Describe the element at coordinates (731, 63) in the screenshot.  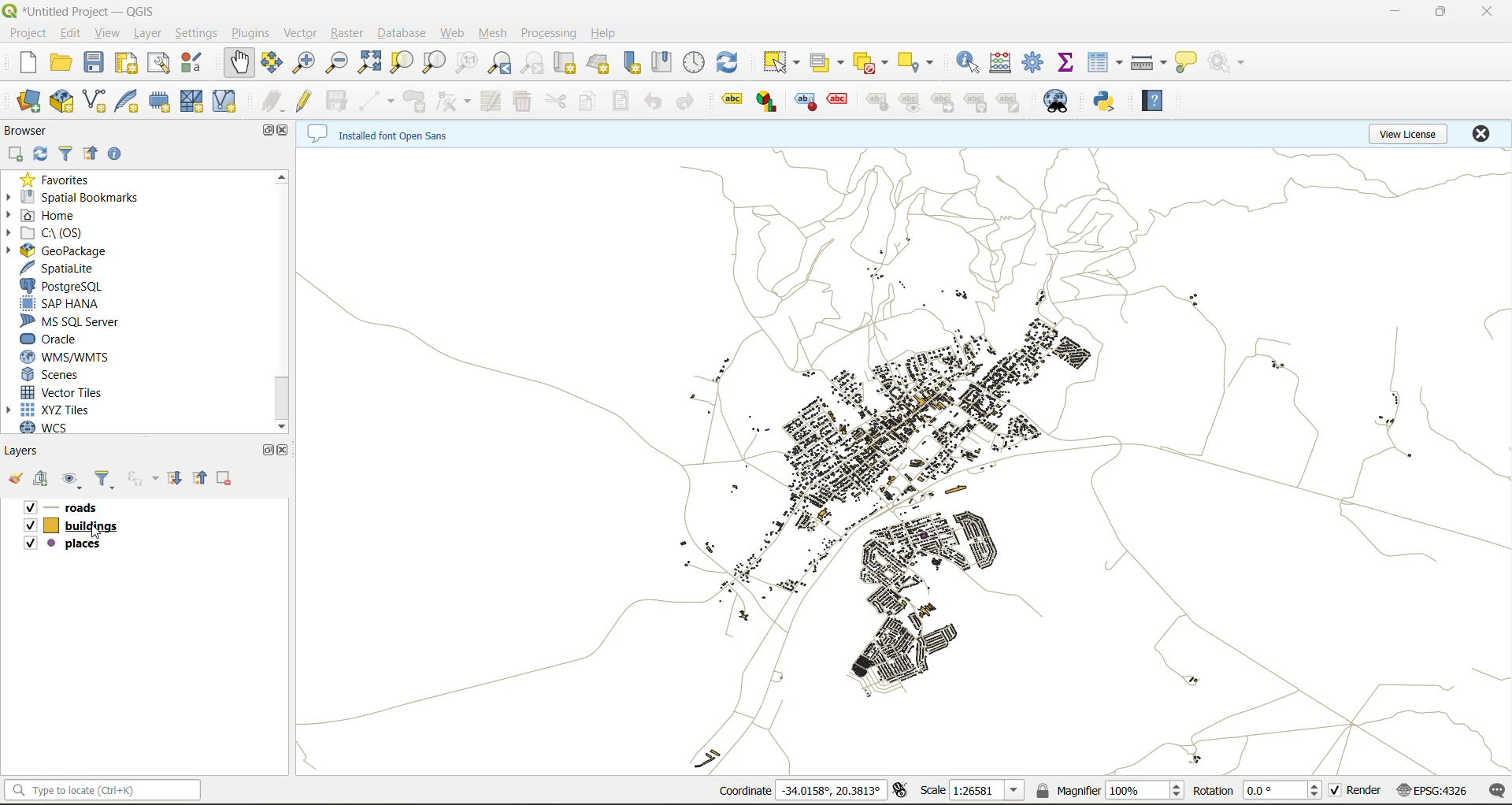
I see `refresh` at that location.